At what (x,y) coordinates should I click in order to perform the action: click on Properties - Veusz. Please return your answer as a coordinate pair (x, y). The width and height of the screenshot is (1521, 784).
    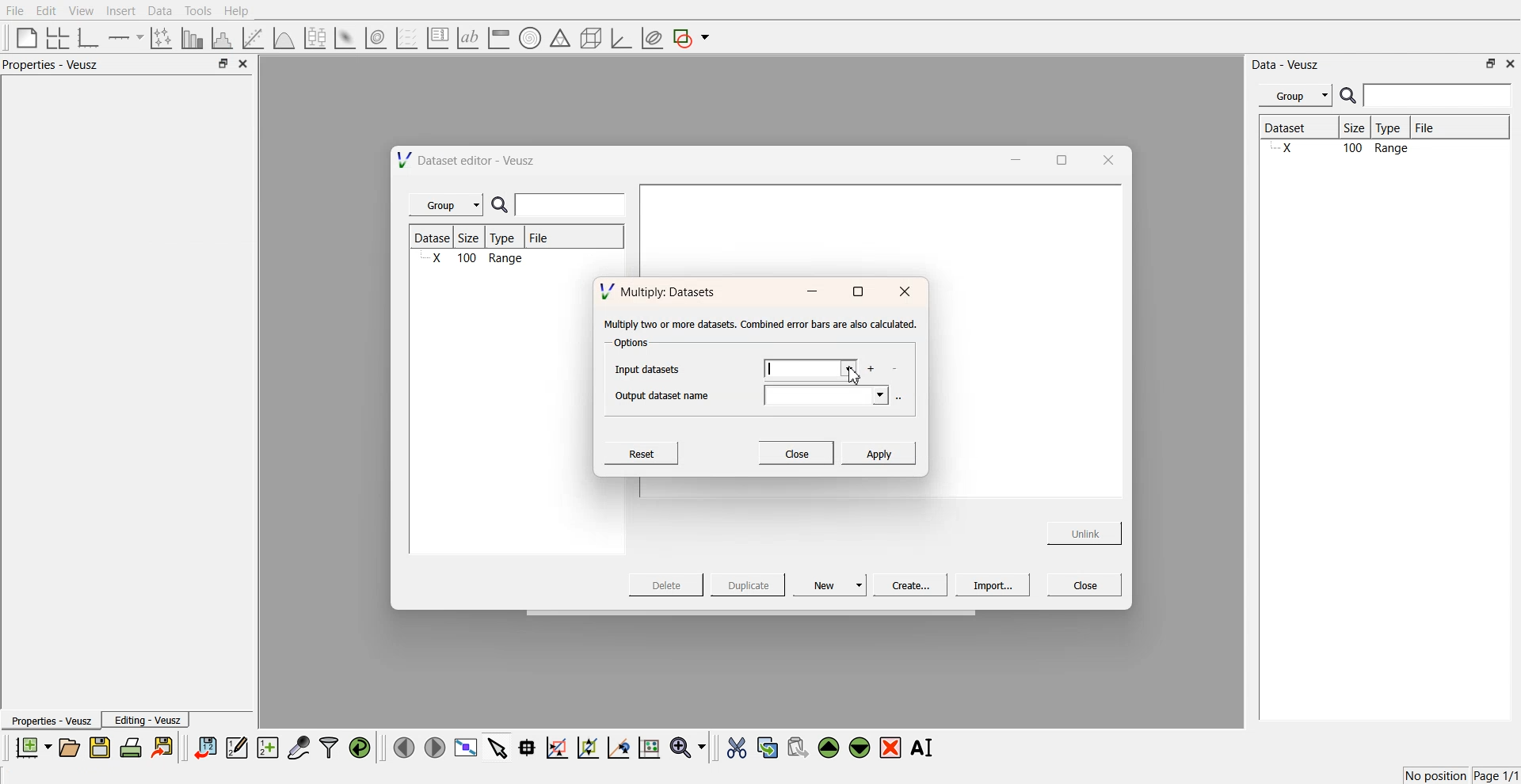
    Looking at the image, I should click on (51, 721).